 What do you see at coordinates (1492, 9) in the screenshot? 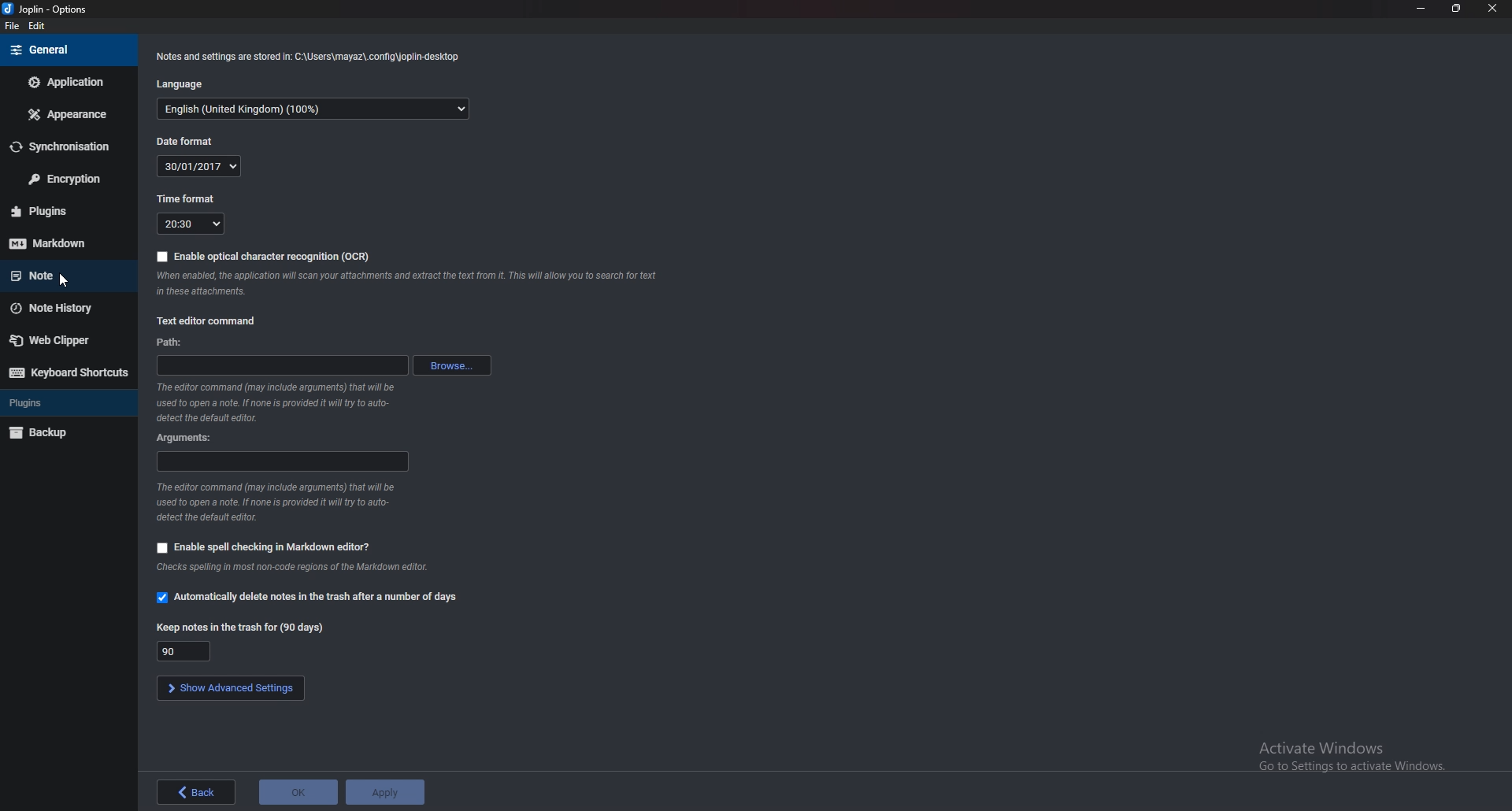
I see `close` at bounding box center [1492, 9].